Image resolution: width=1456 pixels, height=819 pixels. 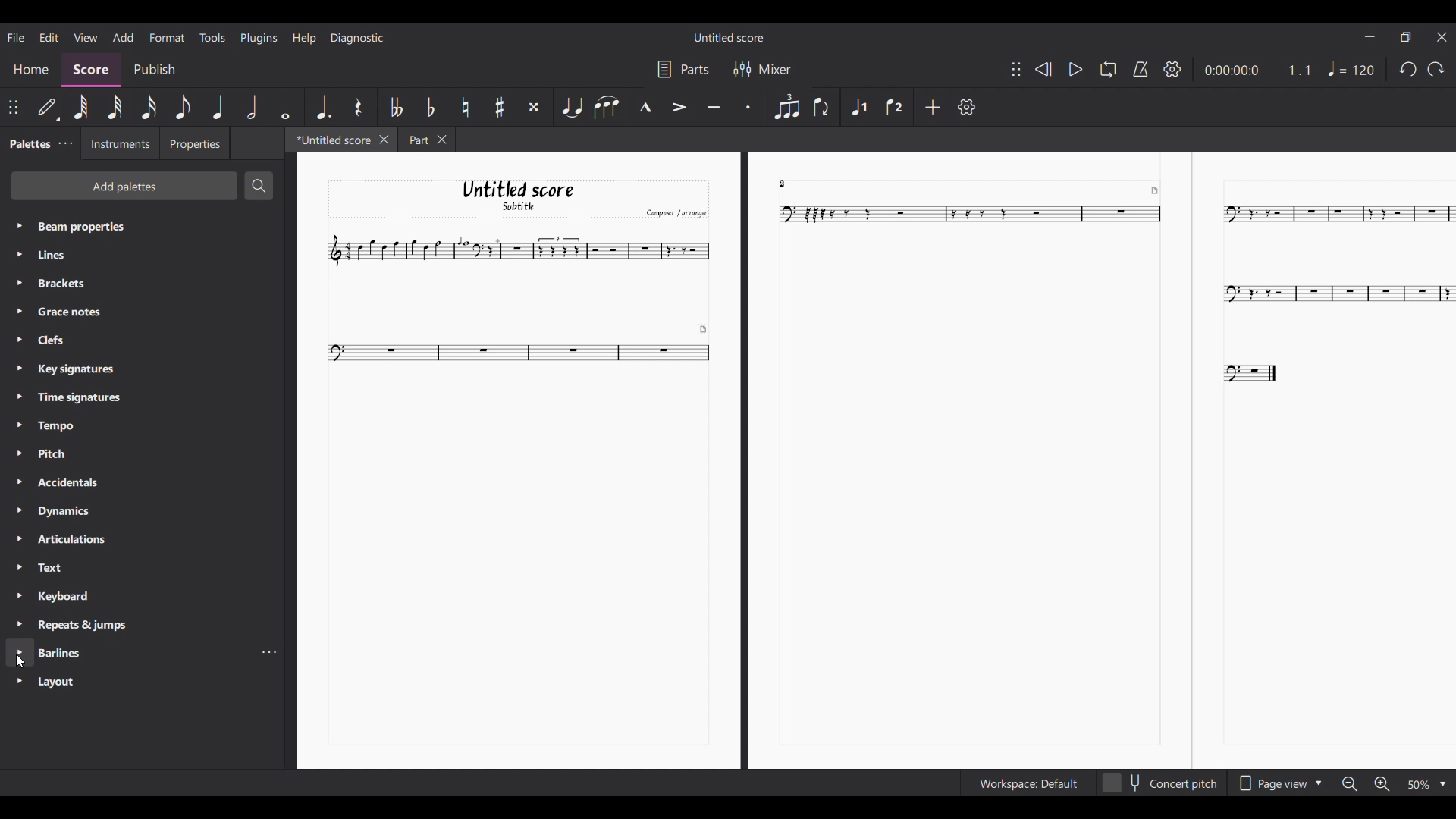 I want to click on Zoom options, so click(x=1427, y=784).